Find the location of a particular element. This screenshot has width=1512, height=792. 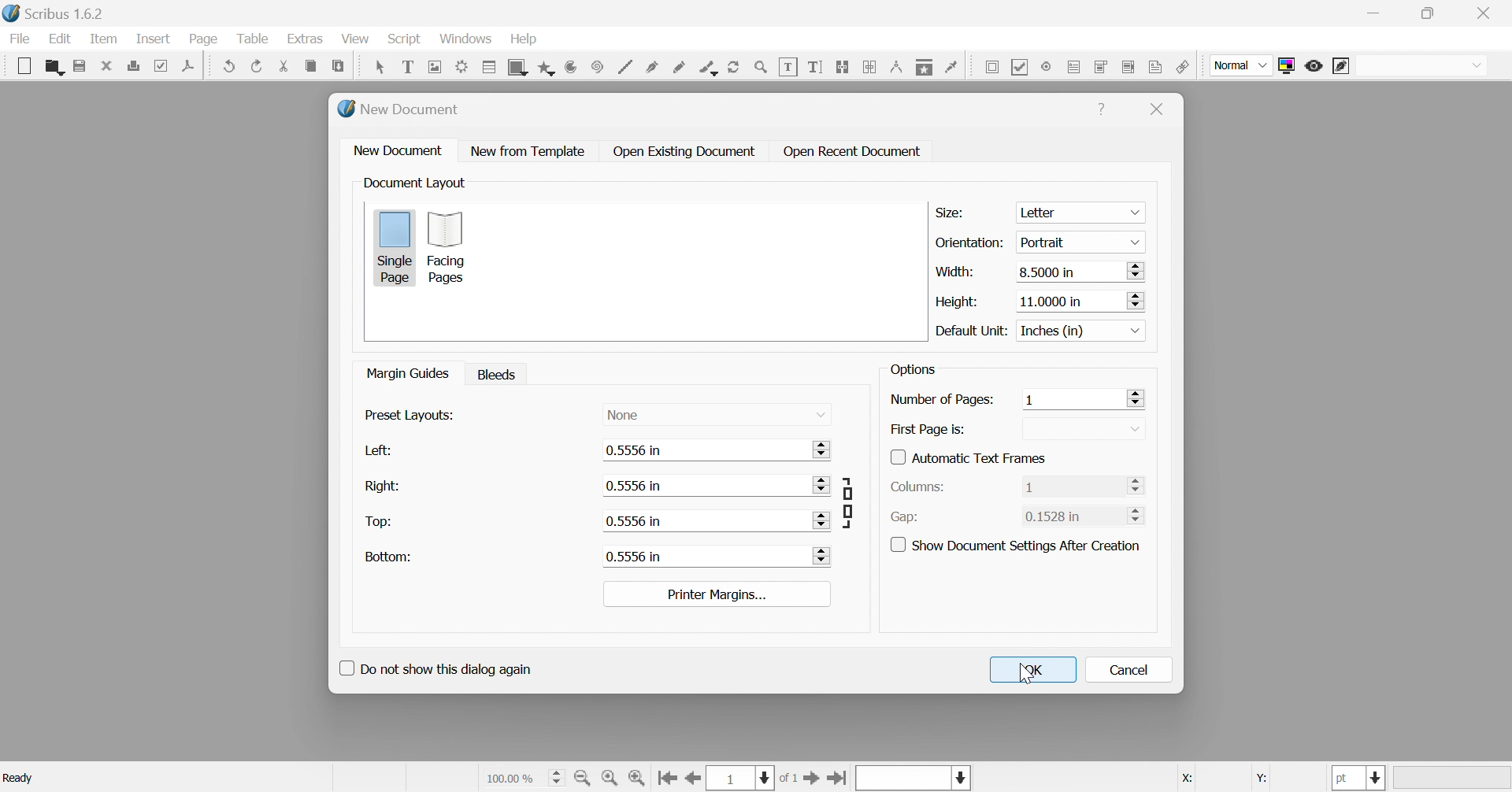

slider is located at coordinates (821, 486).